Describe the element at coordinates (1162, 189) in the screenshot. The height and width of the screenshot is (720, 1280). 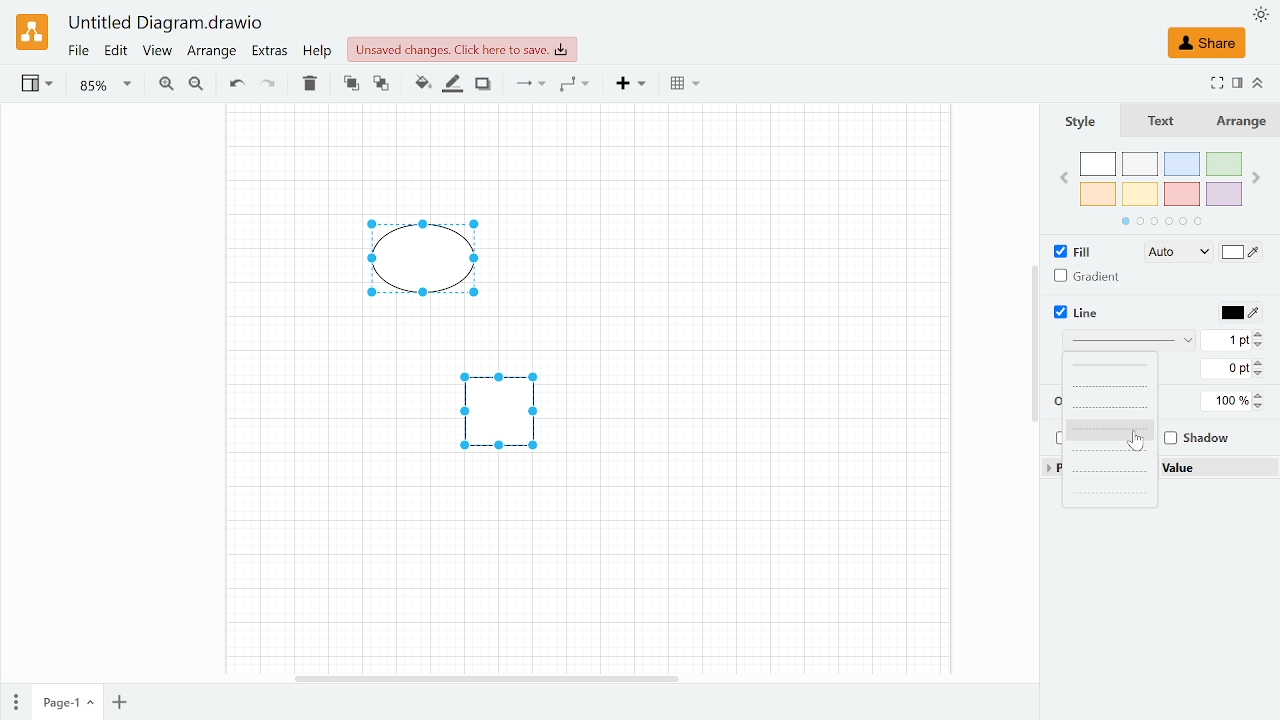
I see `Colors` at that location.